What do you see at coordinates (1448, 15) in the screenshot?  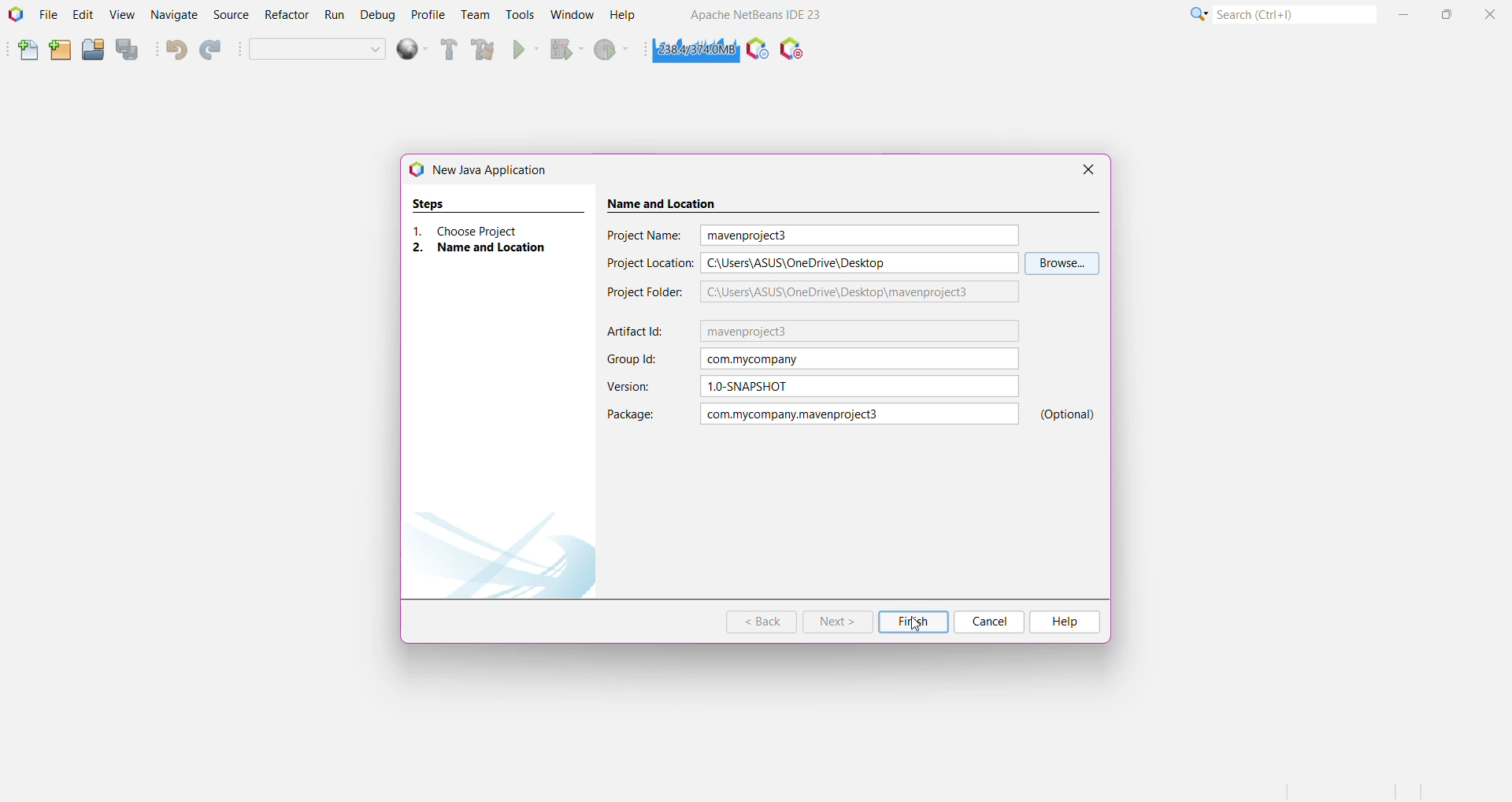 I see `Maximize` at bounding box center [1448, 15].